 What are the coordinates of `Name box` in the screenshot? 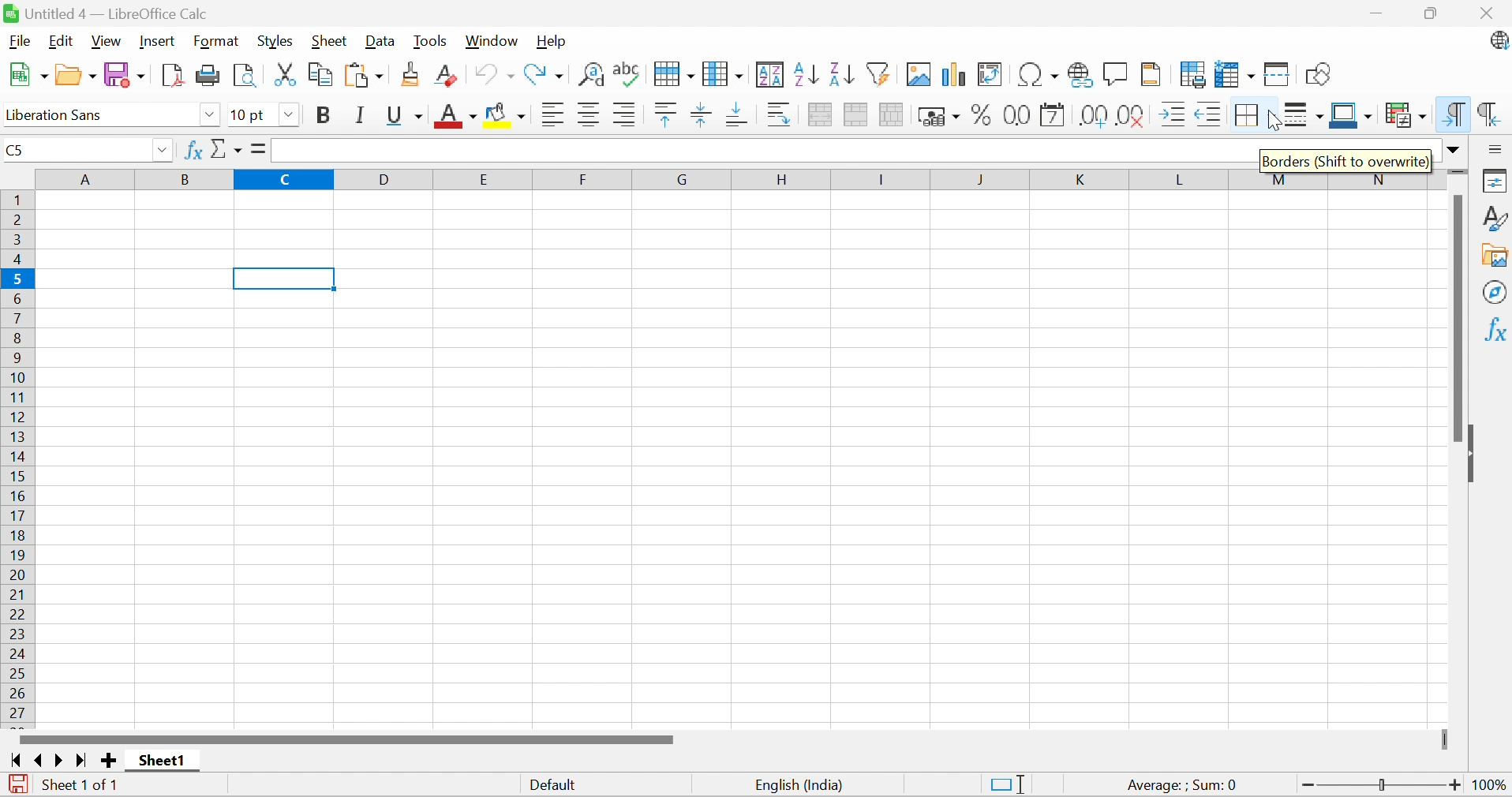 It's located at (74, 150).